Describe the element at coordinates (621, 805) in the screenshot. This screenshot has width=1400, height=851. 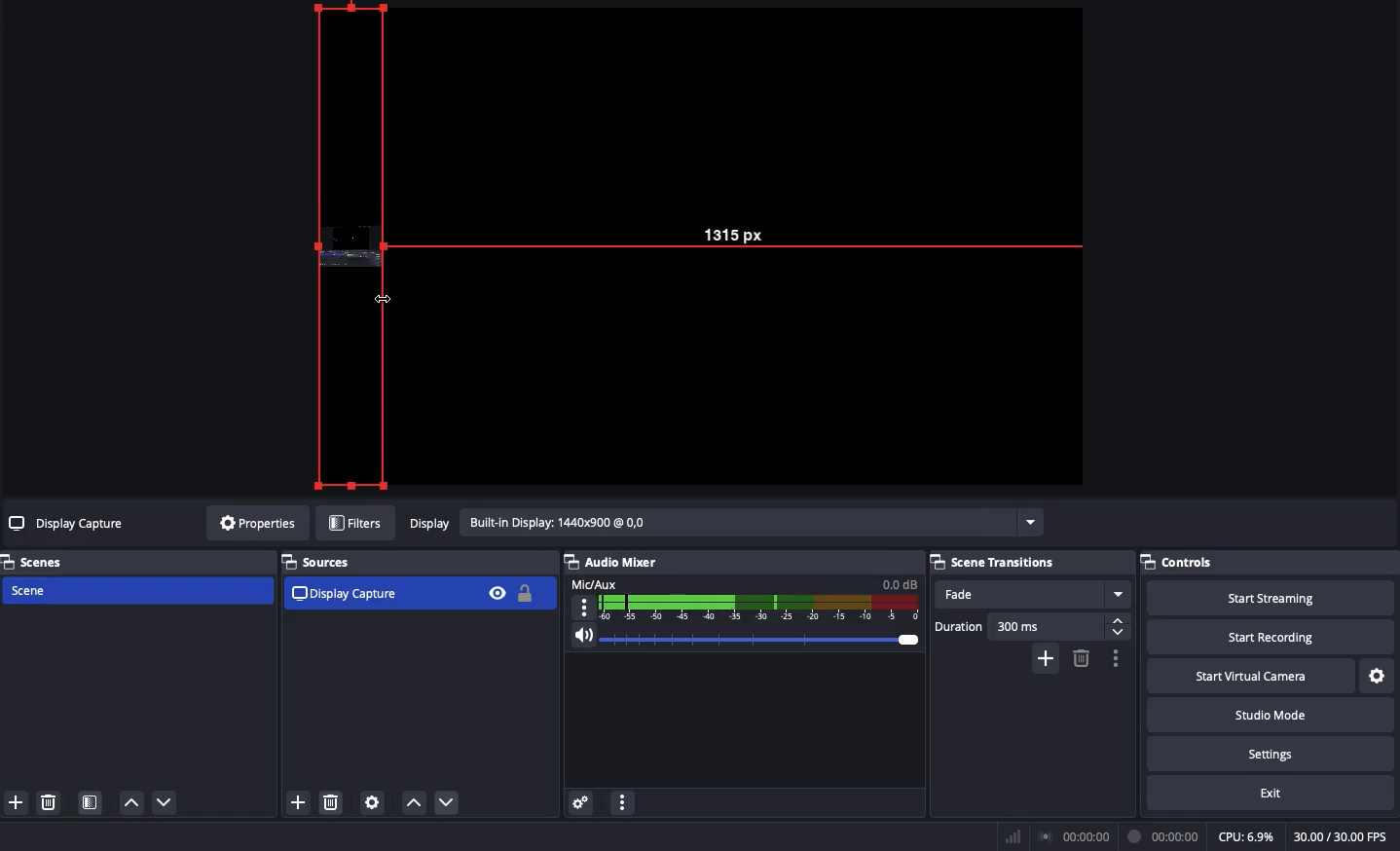
I see `More` at that location.